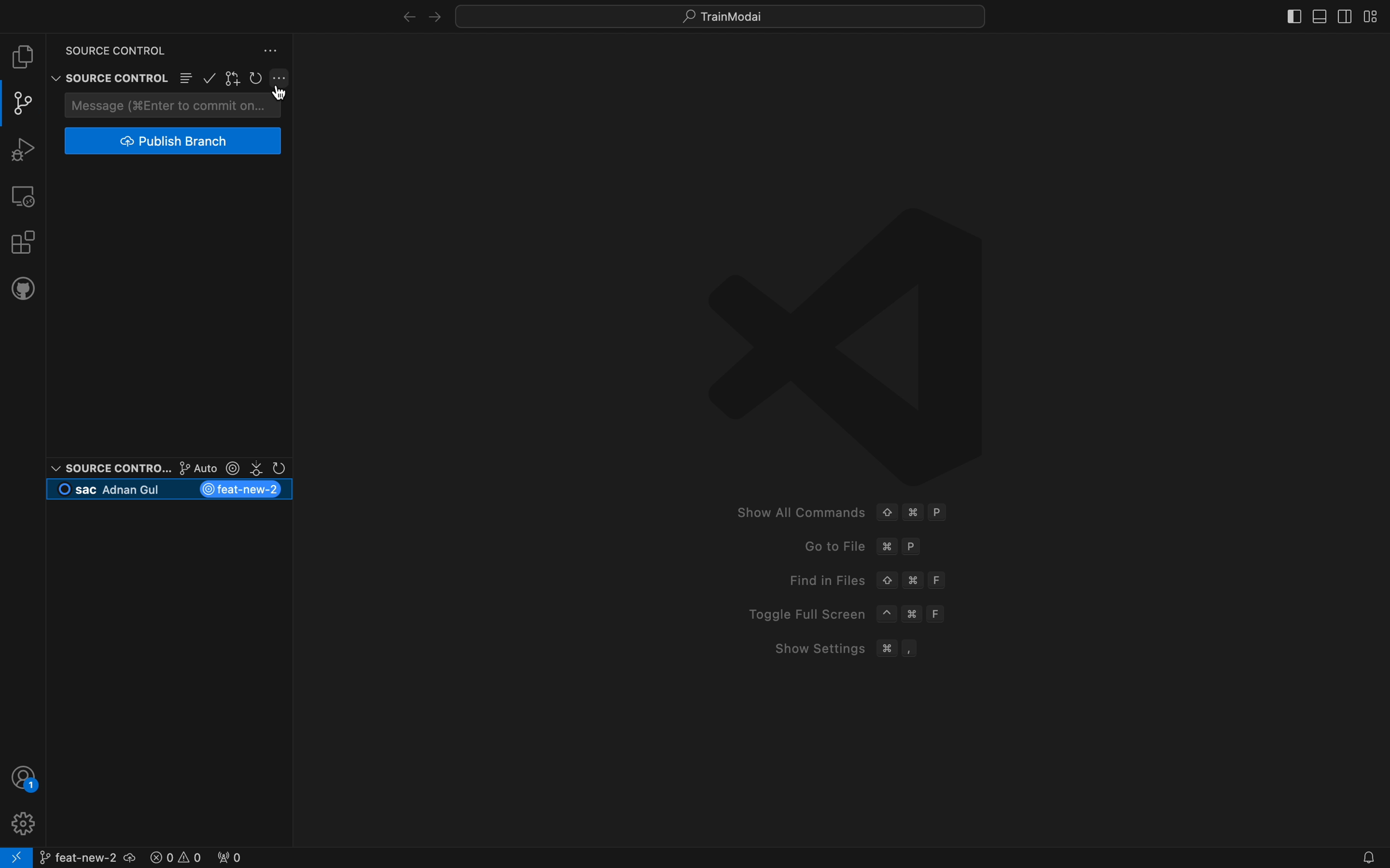  I want to click on Command, so click(913, 580).